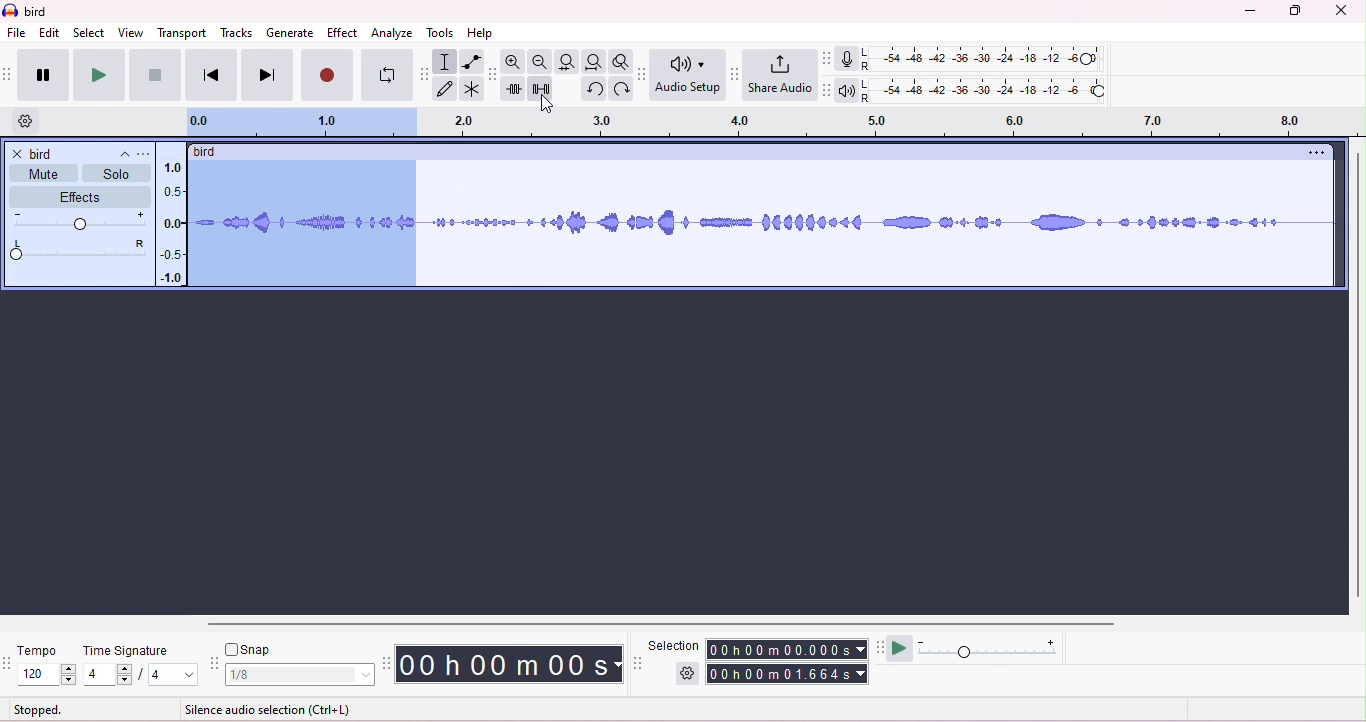 Image resolution: width=1366 pixels, height=722 pixels. What do you see at coordinates (214, 663) in the screenshot?
I see `snap tool bar` at bounding box center [214, 663].